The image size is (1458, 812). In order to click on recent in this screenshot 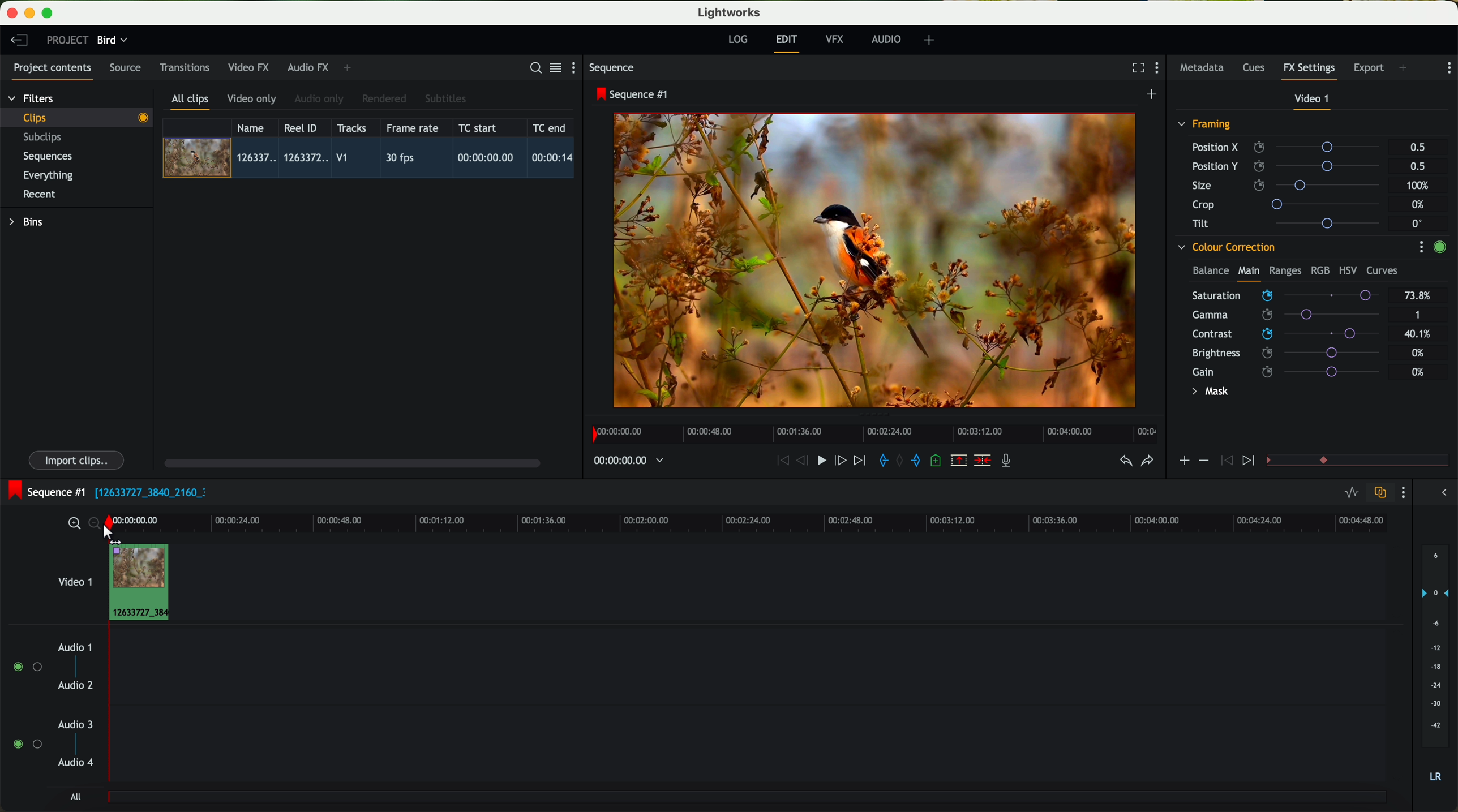, I will do `click(40, 196)`.